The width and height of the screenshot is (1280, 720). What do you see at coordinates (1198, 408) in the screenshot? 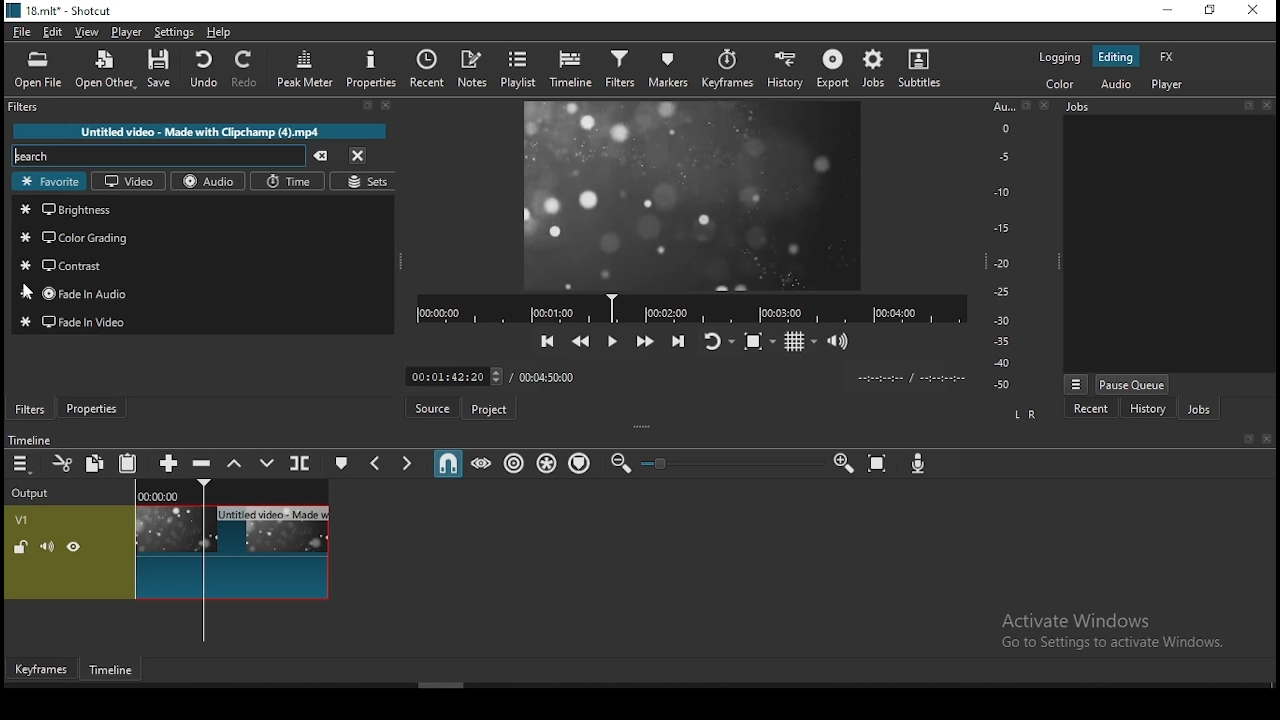
I see `jobs` at bounding box center [1198, 408].